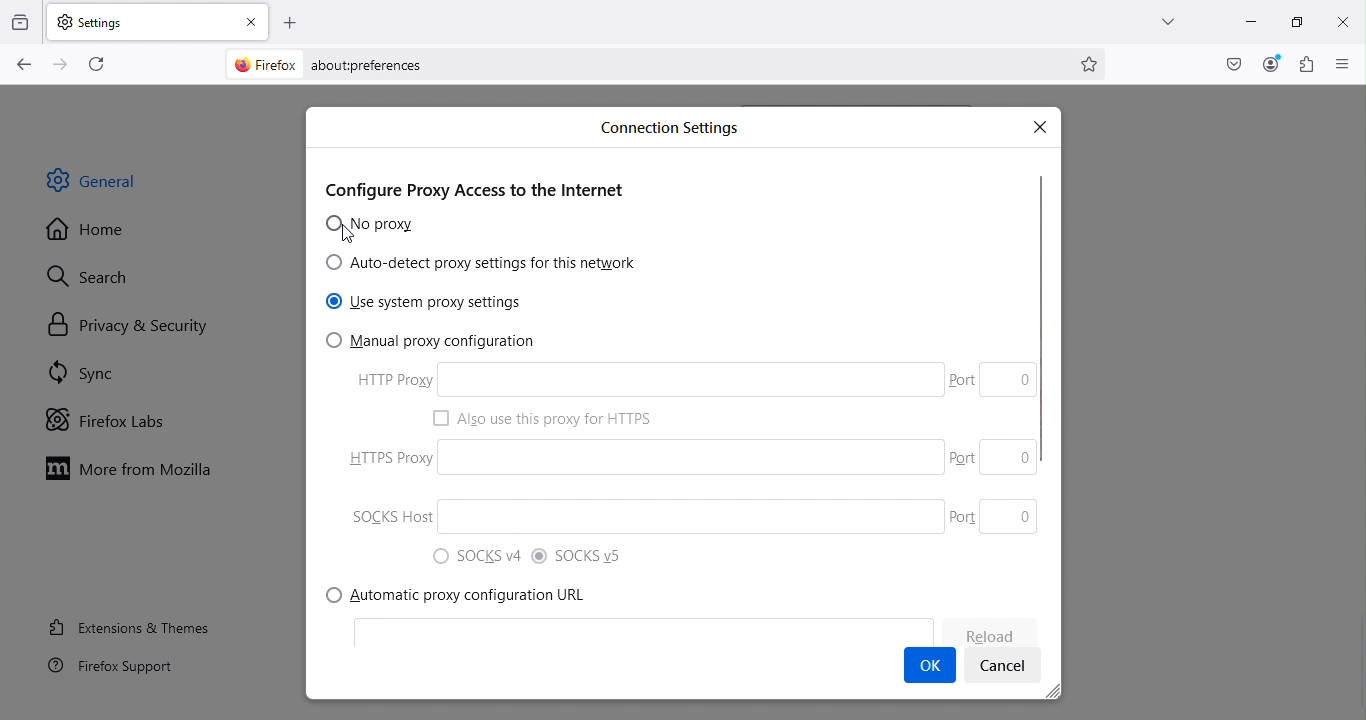  I want to click on Configure, so click(487, 184).